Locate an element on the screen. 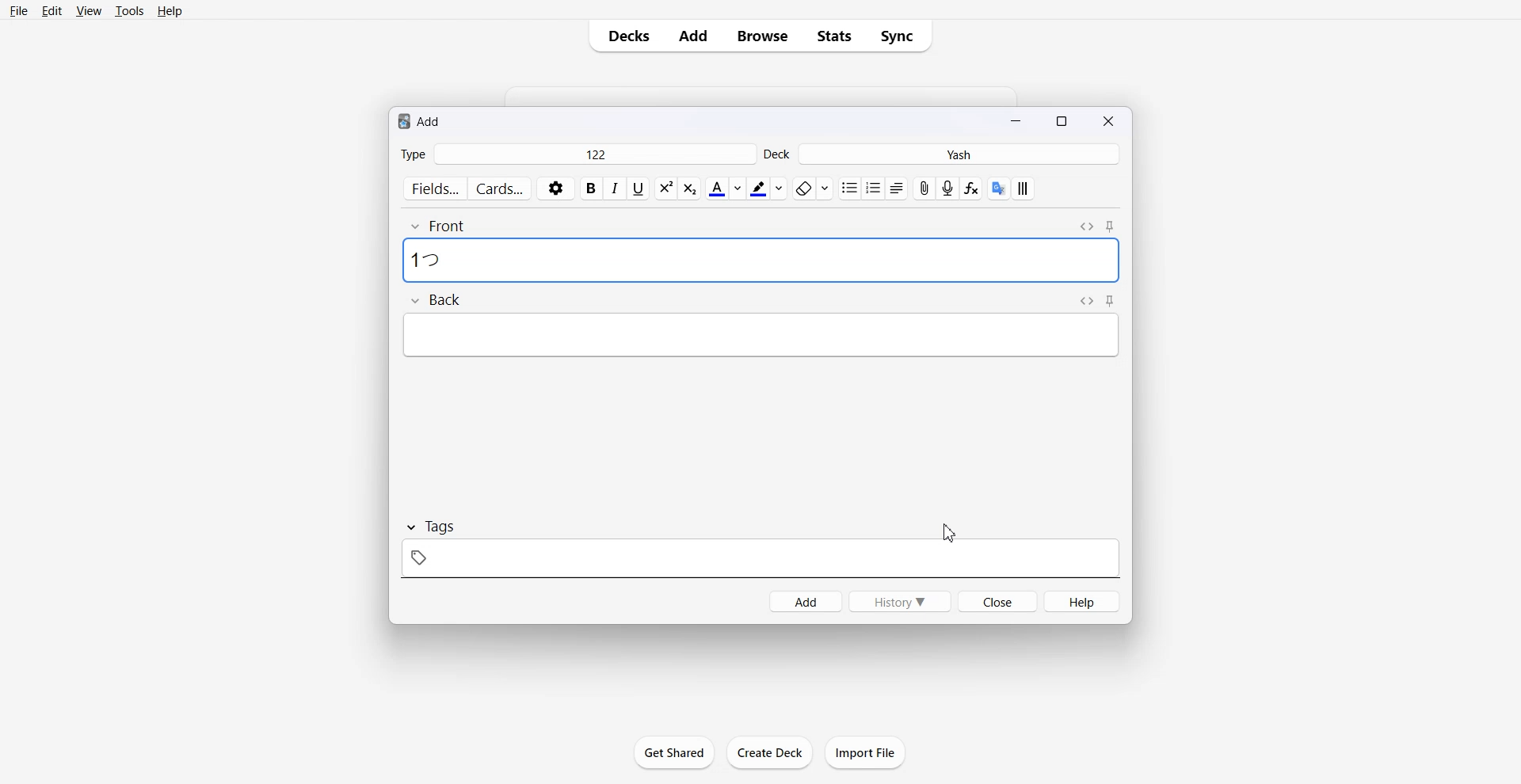 This screenshot has height=784, width=1521. Close is located at coordinates (997, 600).